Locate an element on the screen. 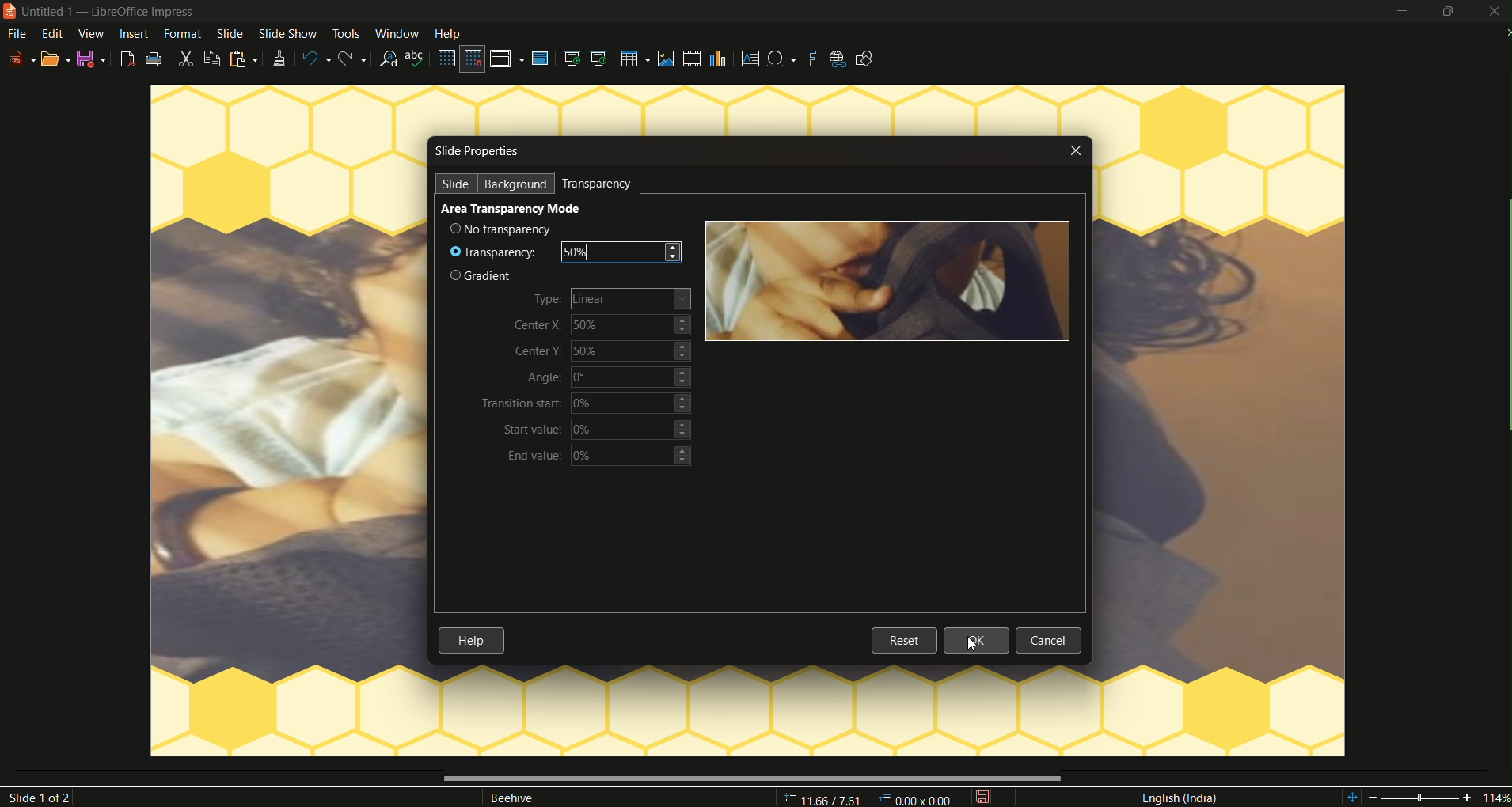 The height and width of the screenshot is (807, 1512). slide is located at coordinates (230, 33).